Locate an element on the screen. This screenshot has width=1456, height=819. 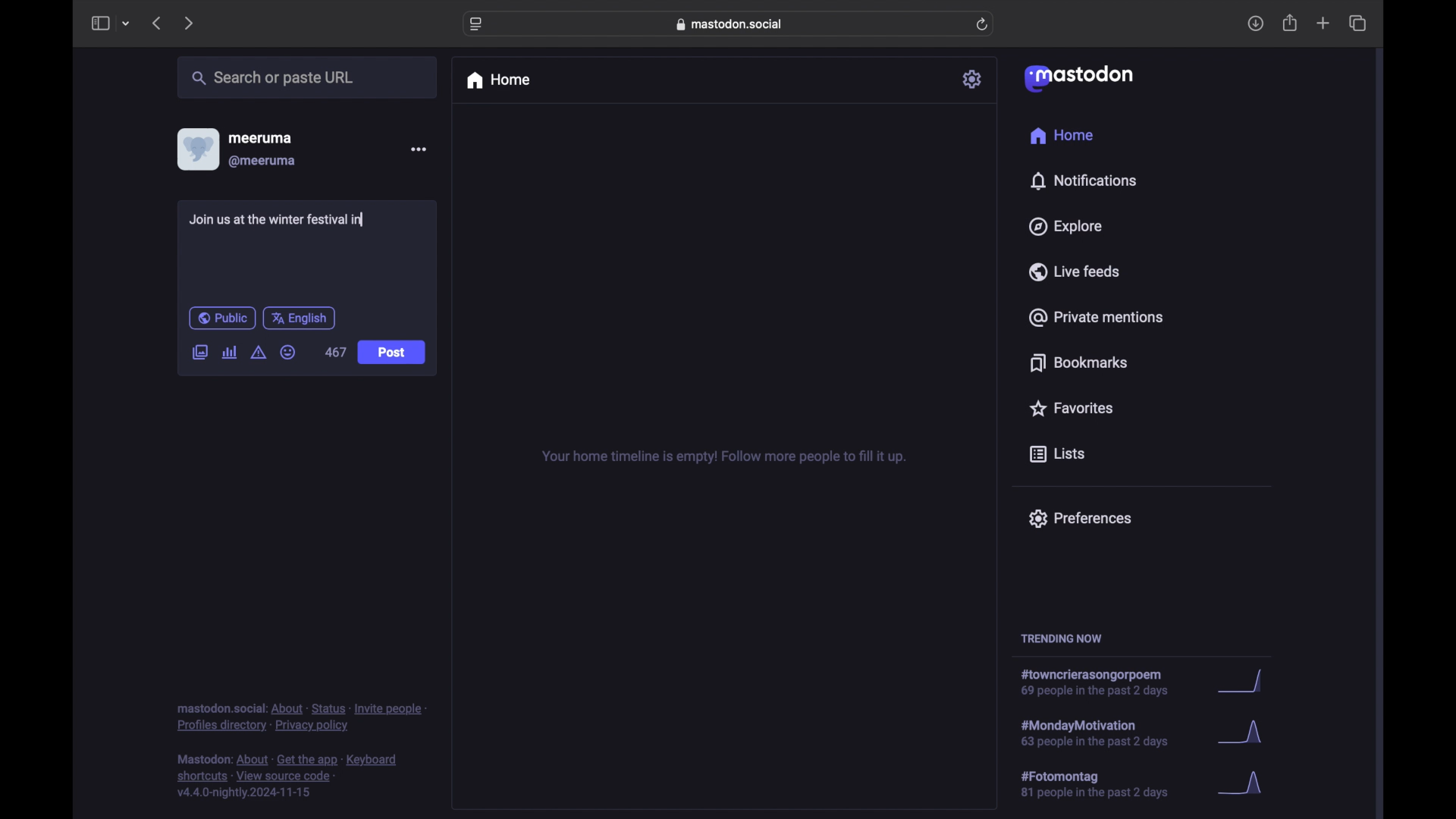
467 is located at coordinates (335, 353).